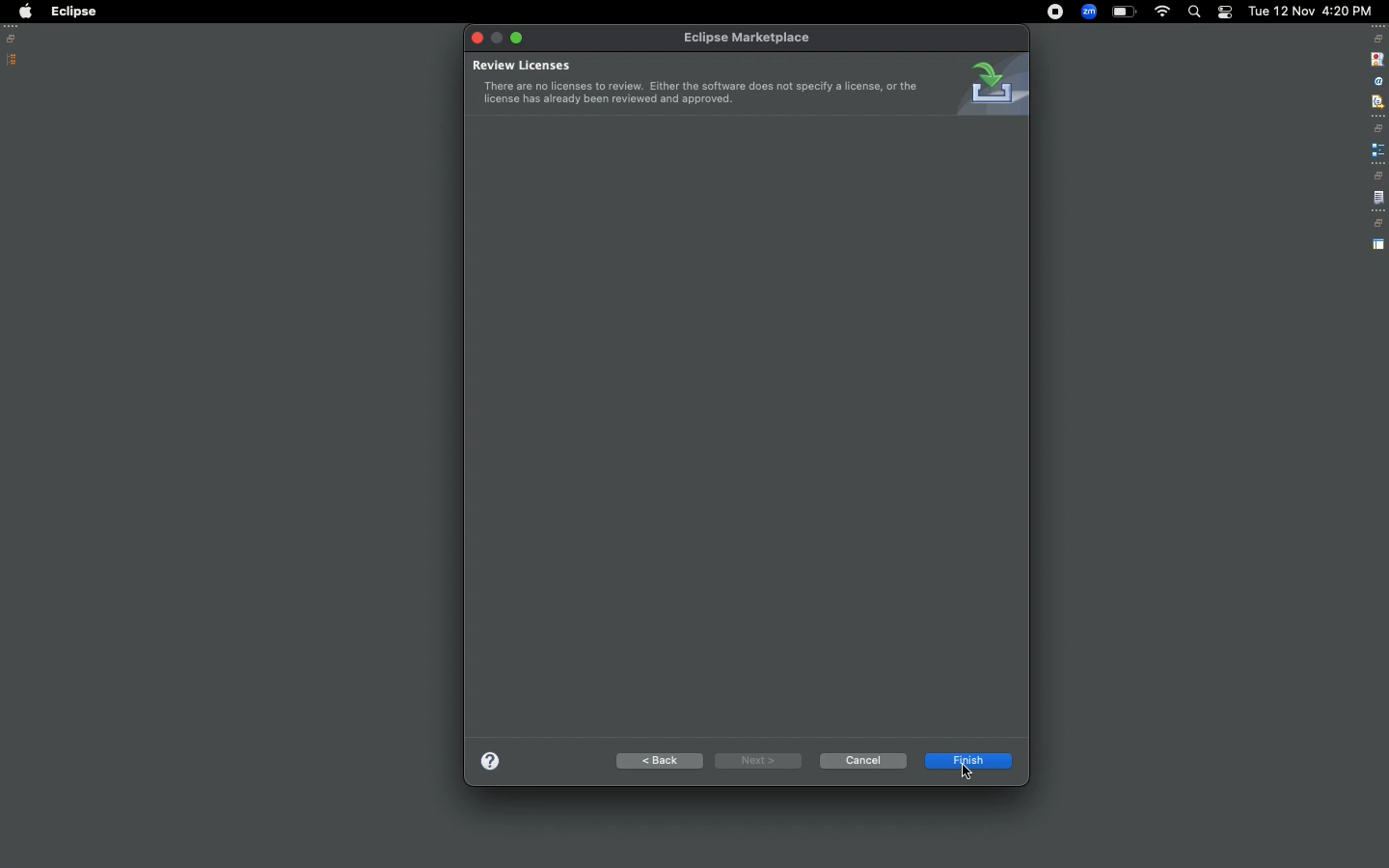 The height and width of the screenshot is (868, 1389). I want to click on exit full screen, so click(519, 38).